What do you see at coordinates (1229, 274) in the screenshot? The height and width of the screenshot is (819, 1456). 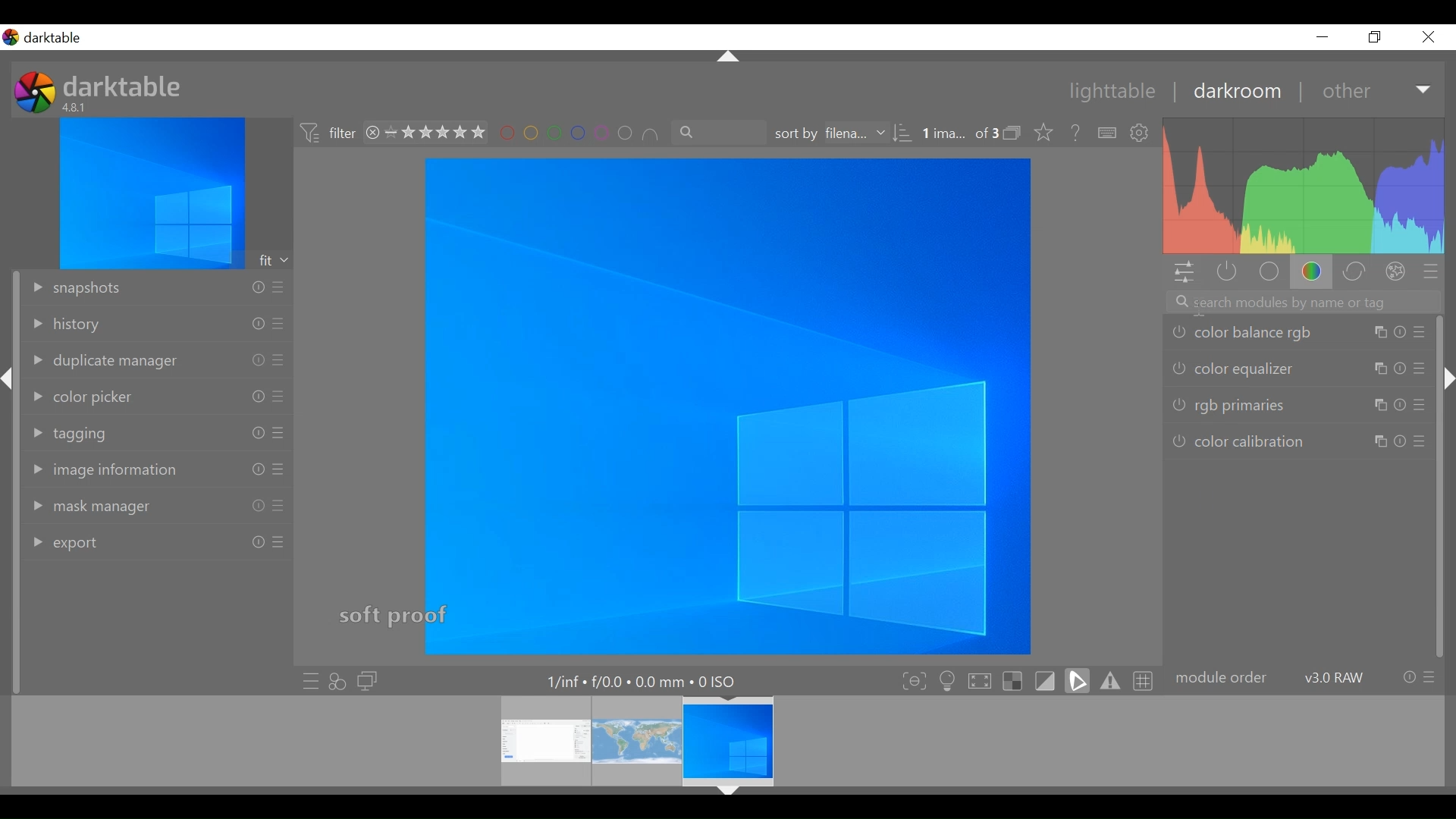 I see `show only active modules` at bounding box center [1229, 274].